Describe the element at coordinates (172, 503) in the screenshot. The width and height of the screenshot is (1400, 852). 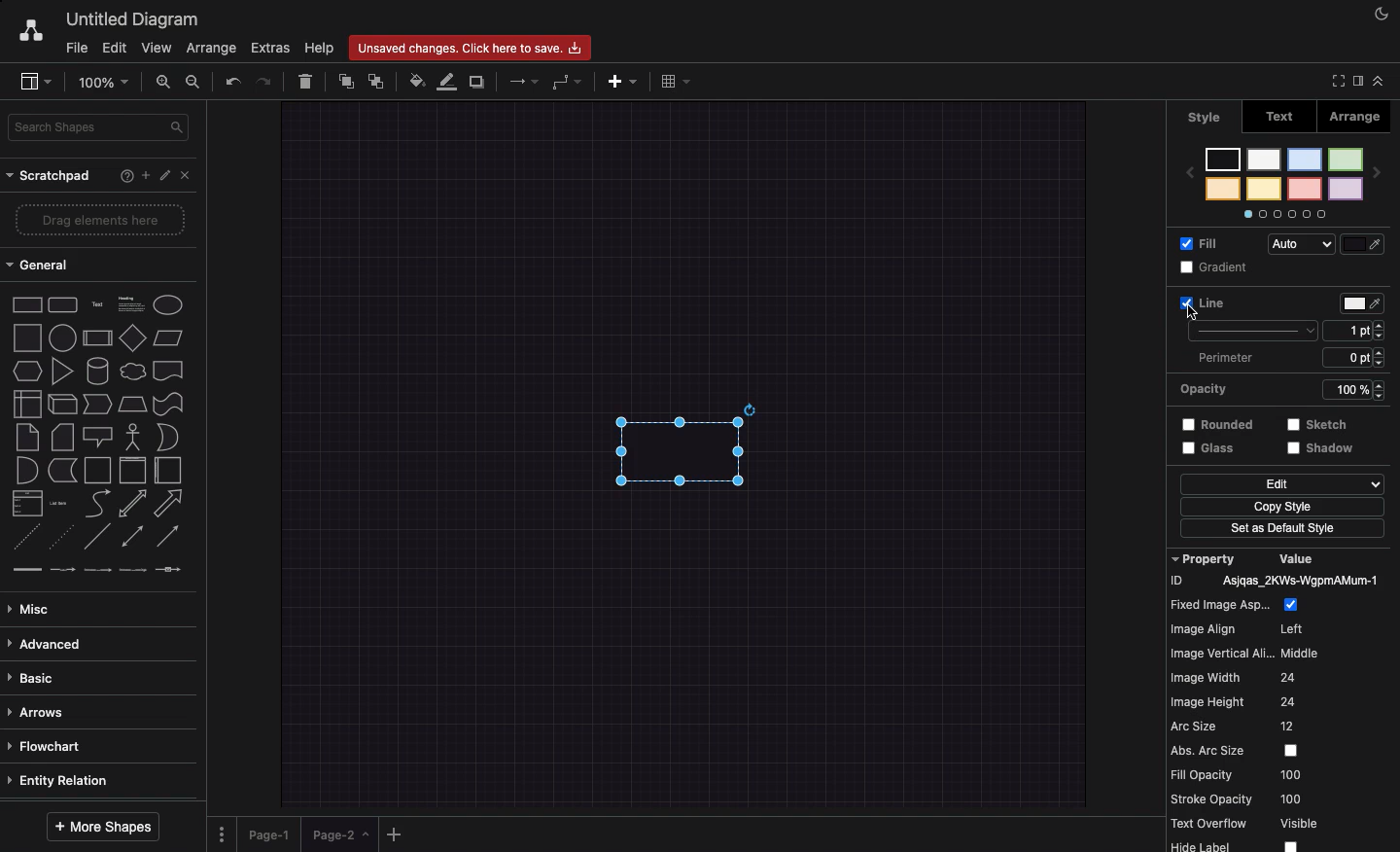
I see `arrow` at that location.